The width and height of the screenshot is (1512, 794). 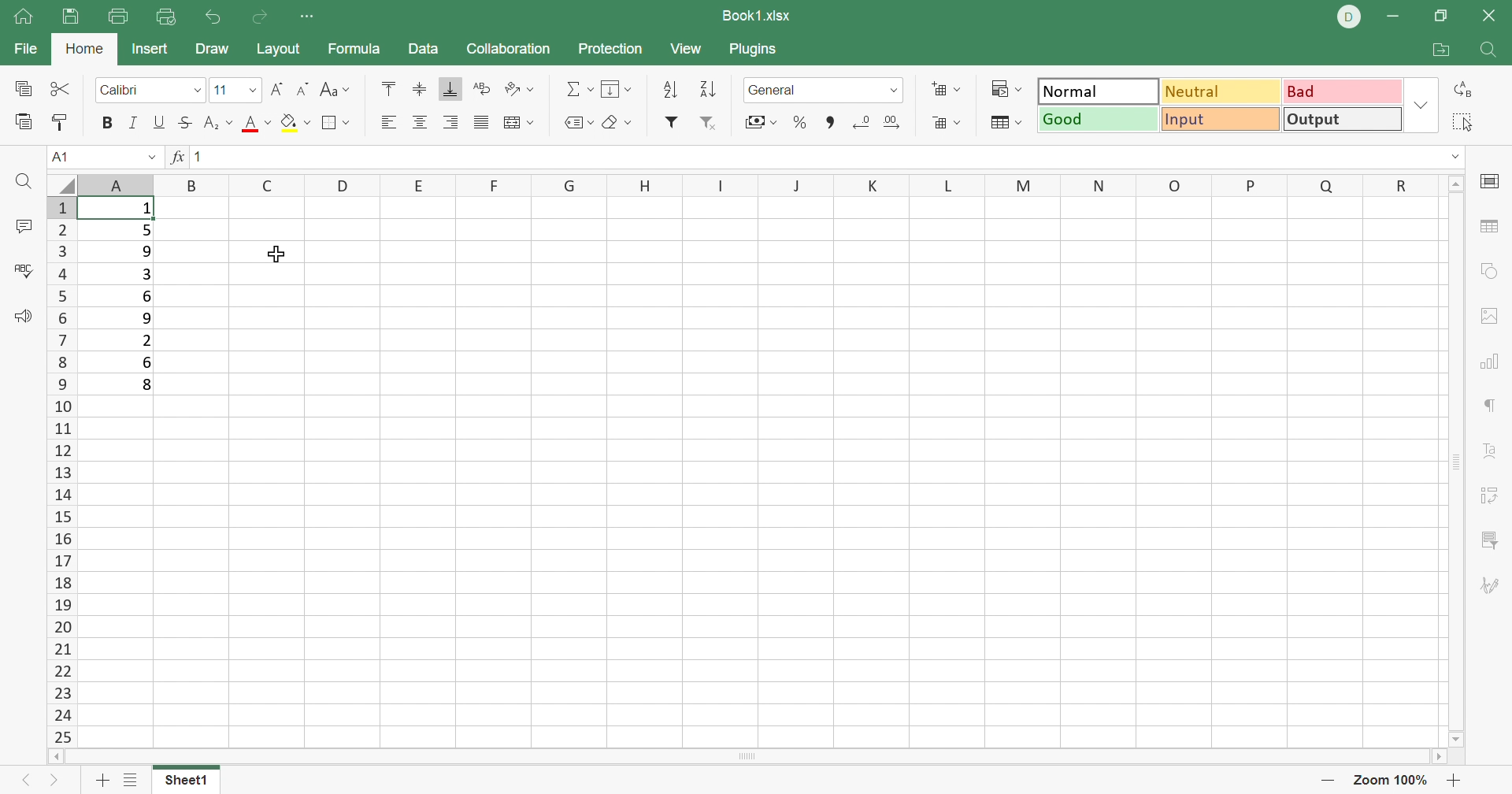 What do you see at coordinates (753, 47) in the screenshot?
I see `Plugins` at bounding box center [753, 47].